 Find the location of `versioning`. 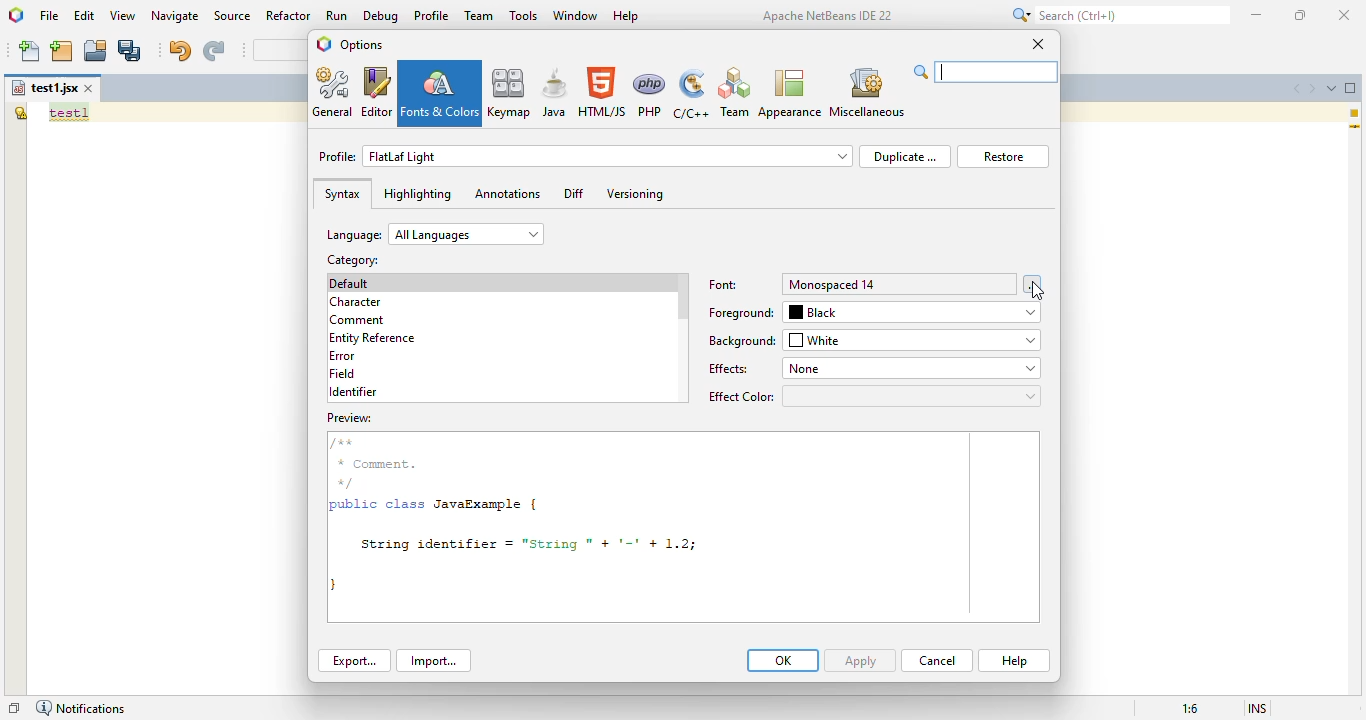

versioning is located at coordinates (635, 195).